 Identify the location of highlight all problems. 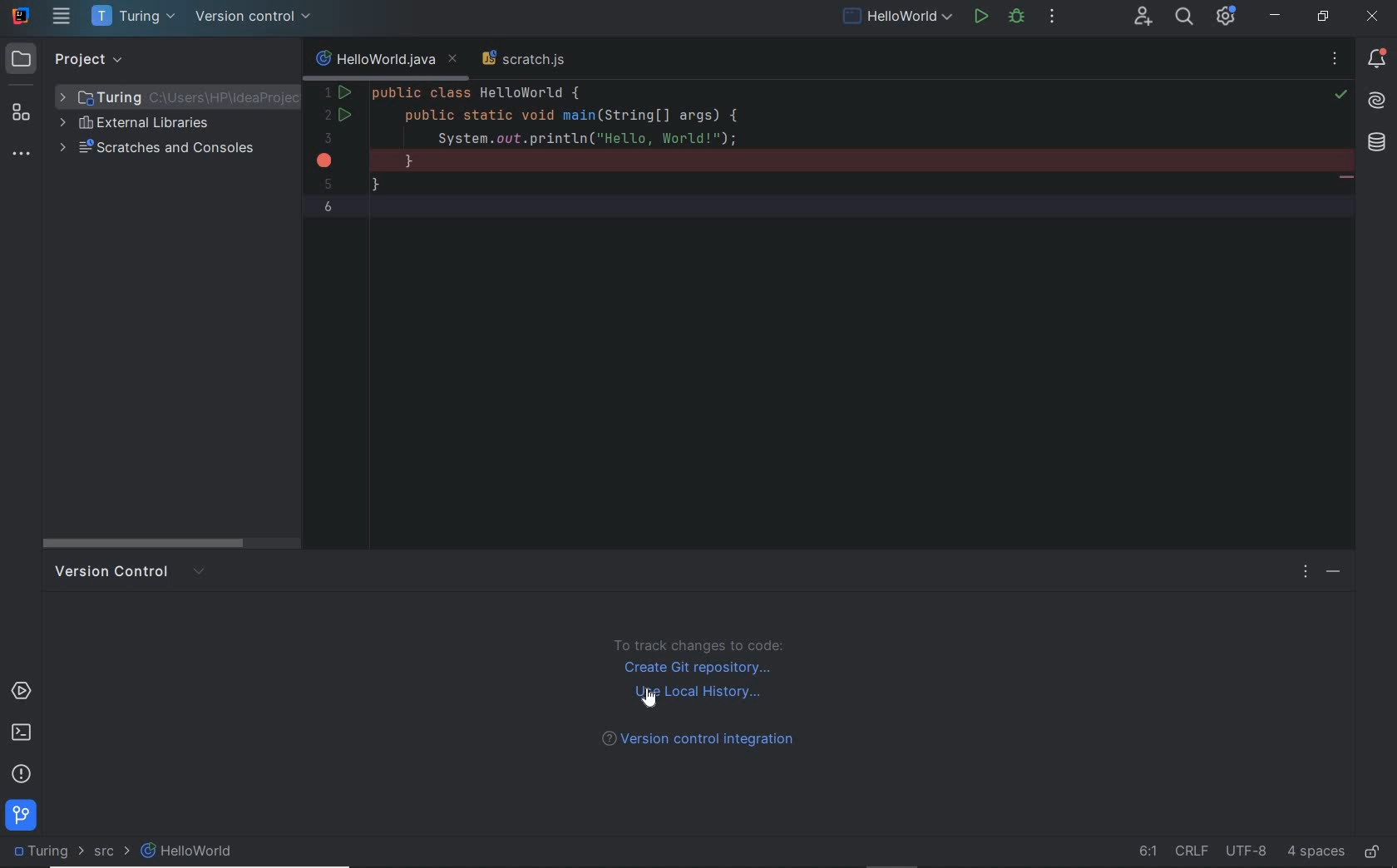
(1340, 94).